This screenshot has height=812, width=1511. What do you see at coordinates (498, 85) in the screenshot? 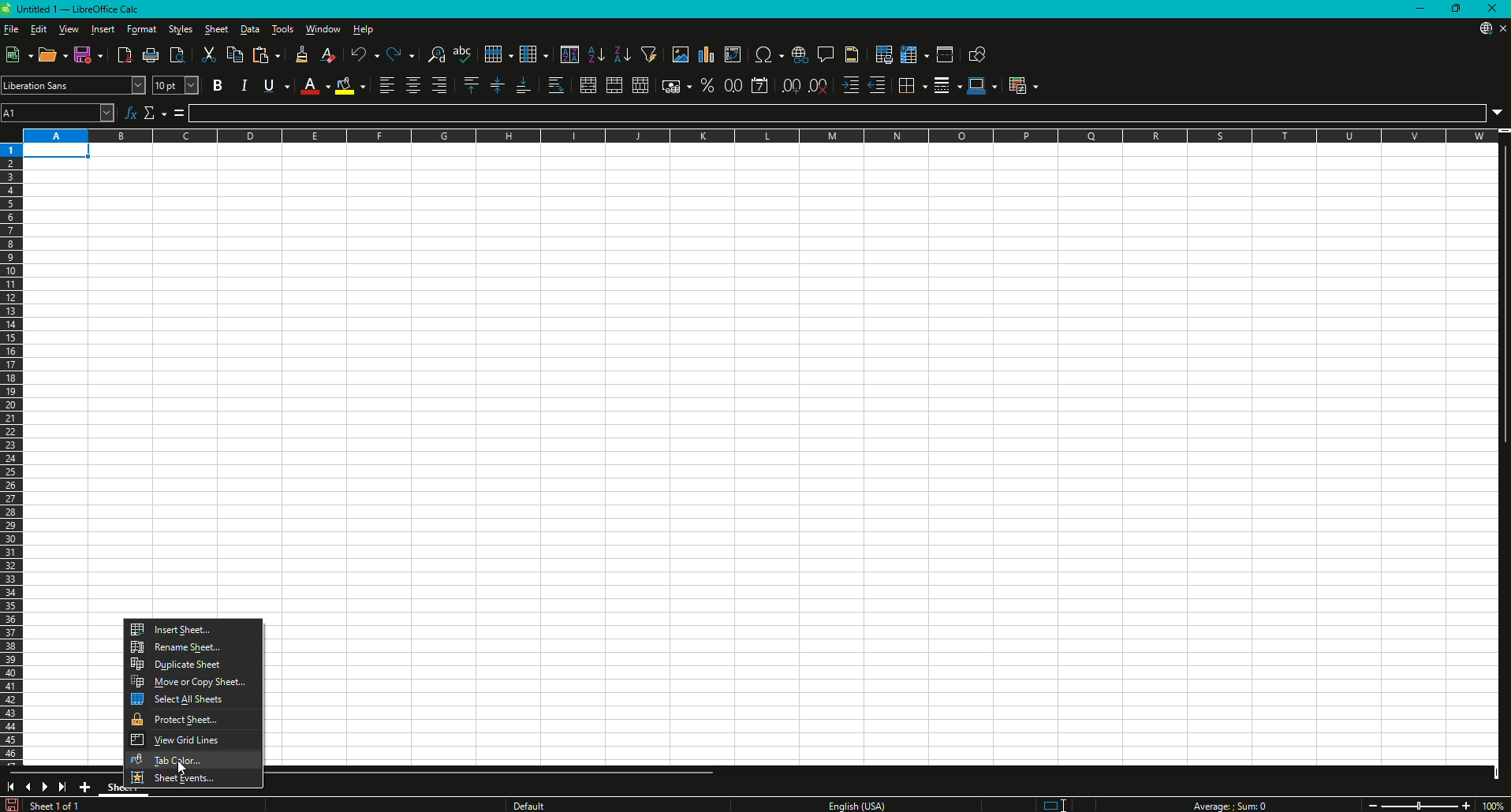
I see `Center Vertically` at bounding box center [498, 85].